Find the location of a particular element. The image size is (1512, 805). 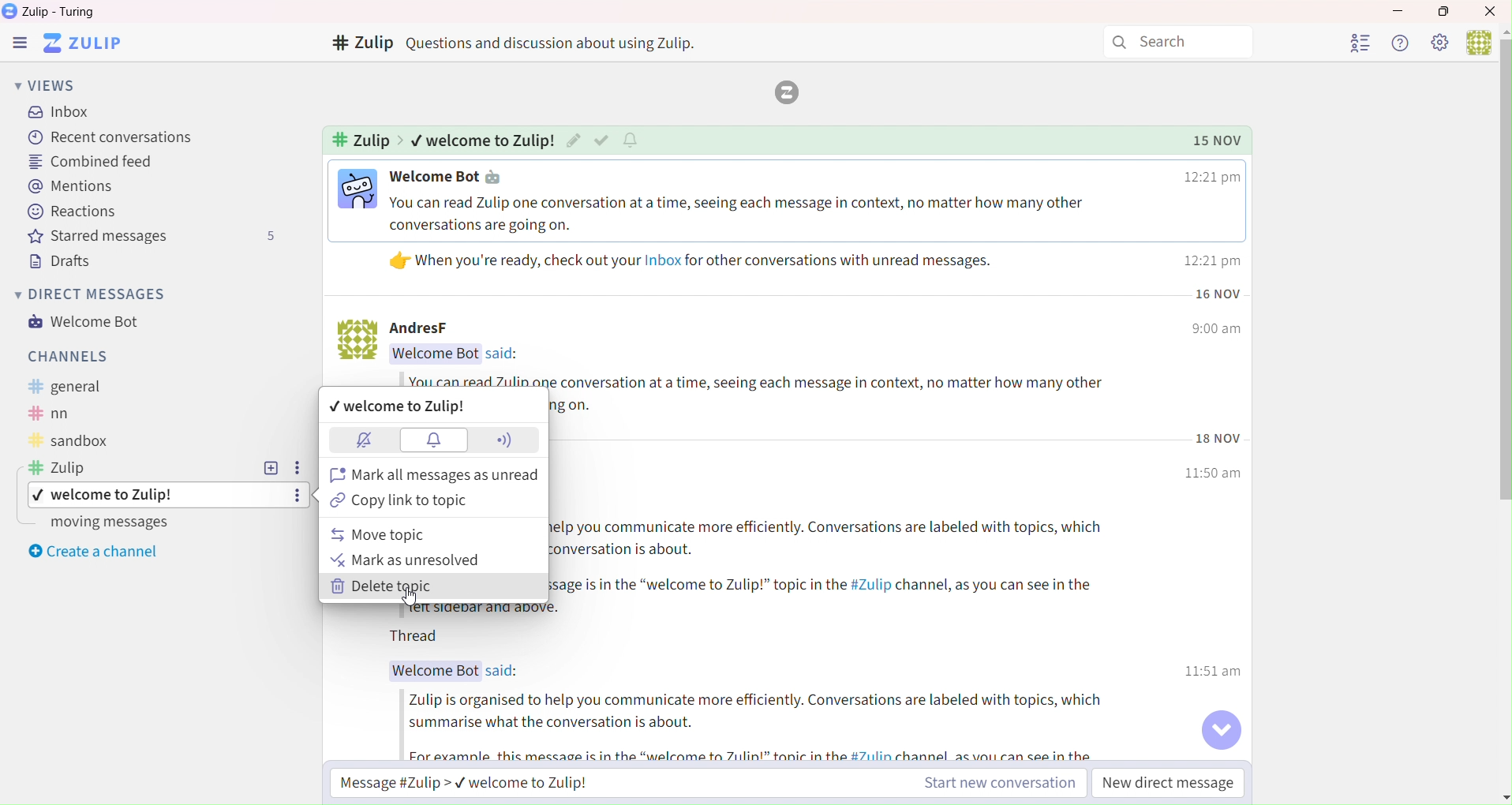

Block notifications is located at coordinates (364, 440).